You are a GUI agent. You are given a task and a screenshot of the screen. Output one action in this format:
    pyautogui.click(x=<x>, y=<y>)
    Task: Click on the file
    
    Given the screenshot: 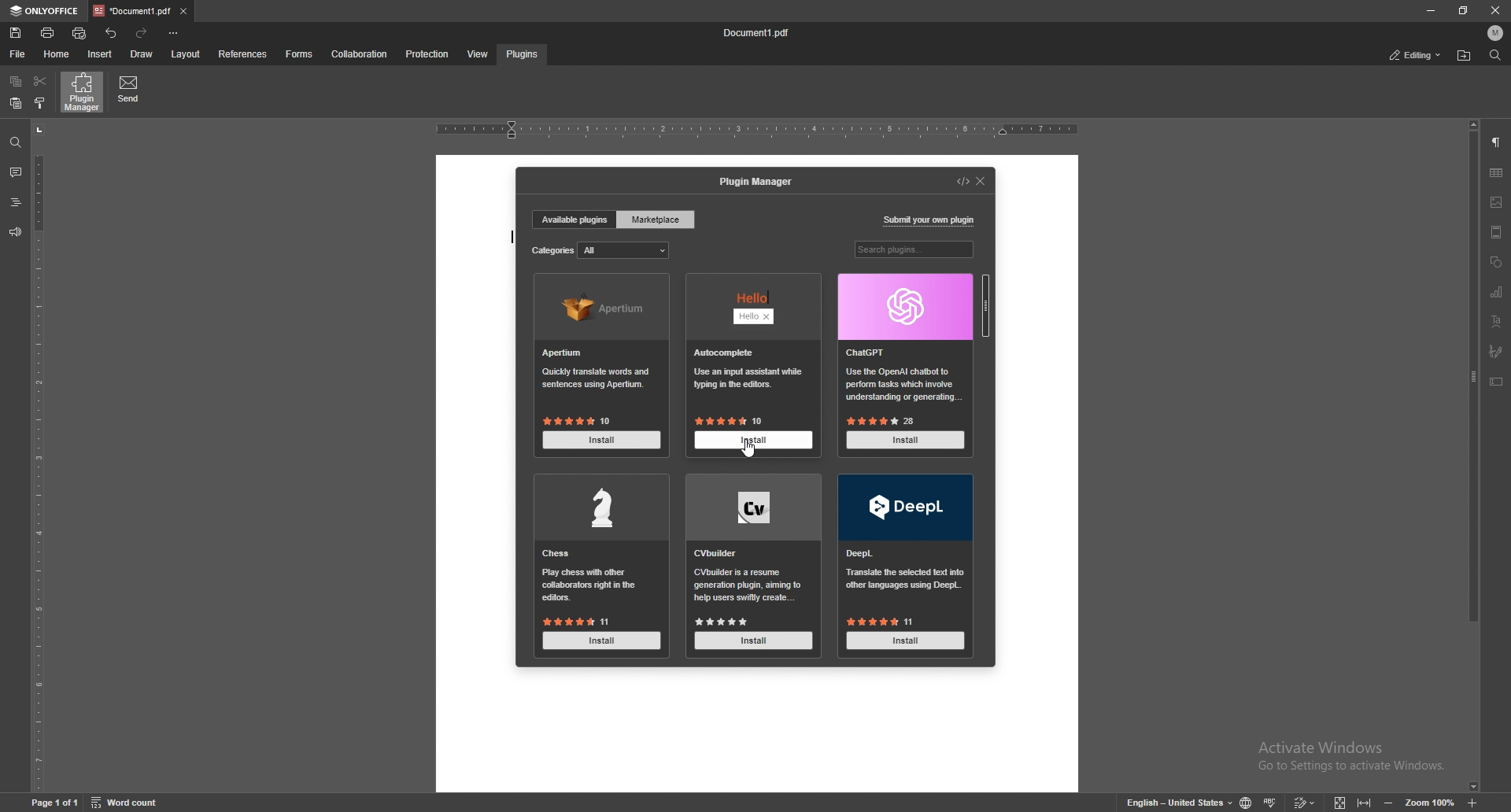 What is the action you would take?
    pyautogui.click(x=17, y=54)
    